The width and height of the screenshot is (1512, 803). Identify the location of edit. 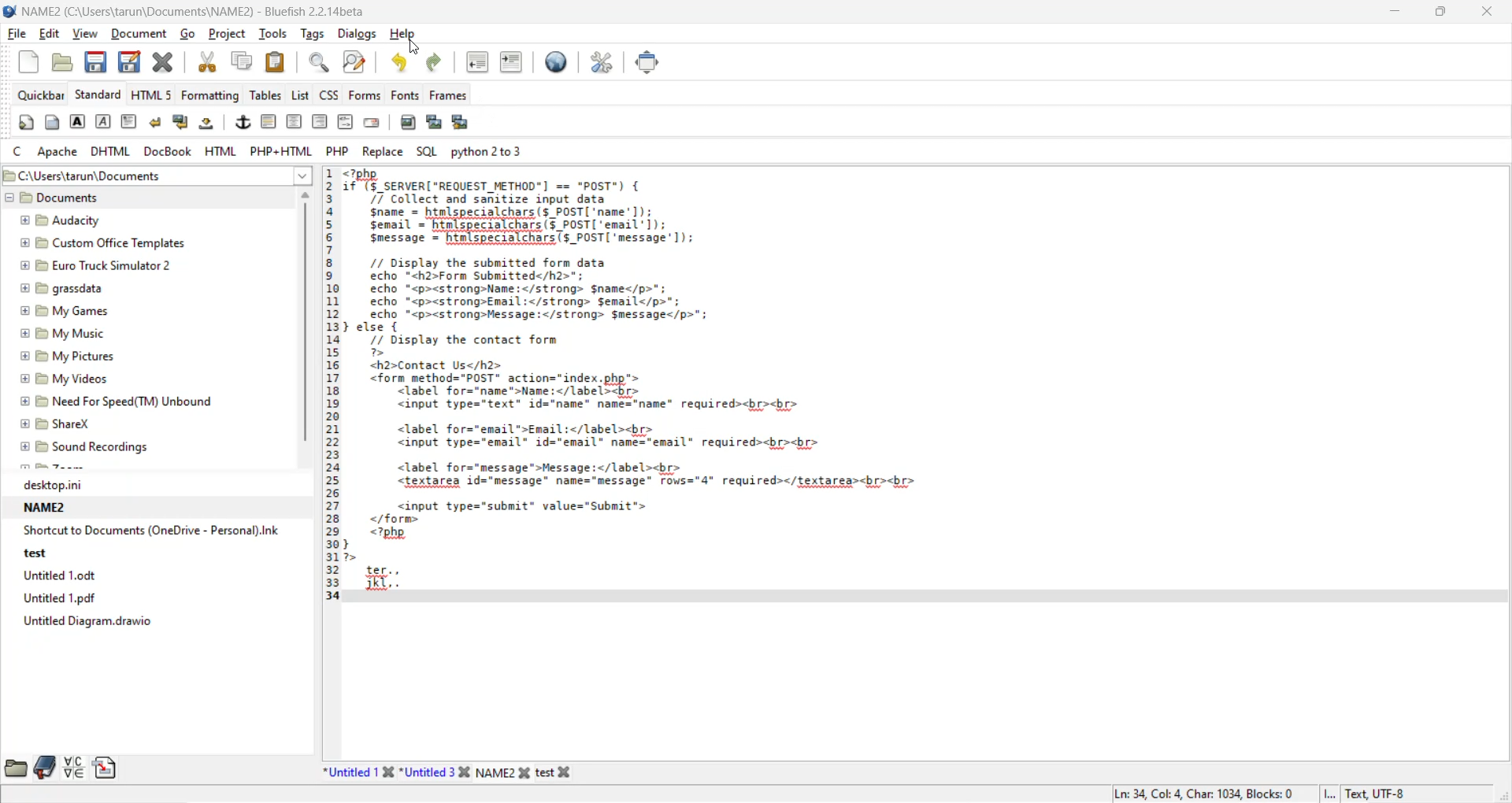
(47, 33).